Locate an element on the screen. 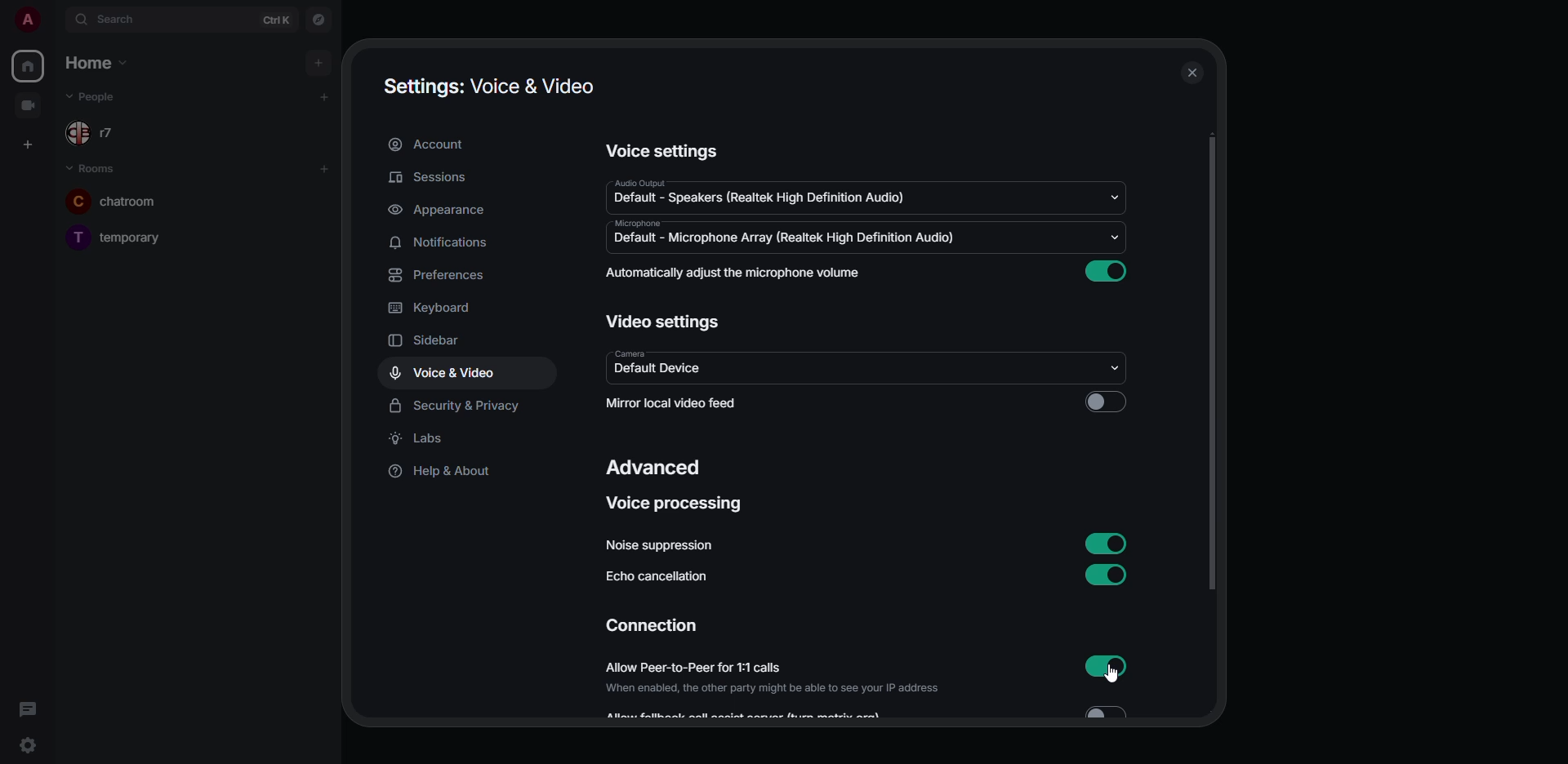  home is located at coordinates (29, 64).